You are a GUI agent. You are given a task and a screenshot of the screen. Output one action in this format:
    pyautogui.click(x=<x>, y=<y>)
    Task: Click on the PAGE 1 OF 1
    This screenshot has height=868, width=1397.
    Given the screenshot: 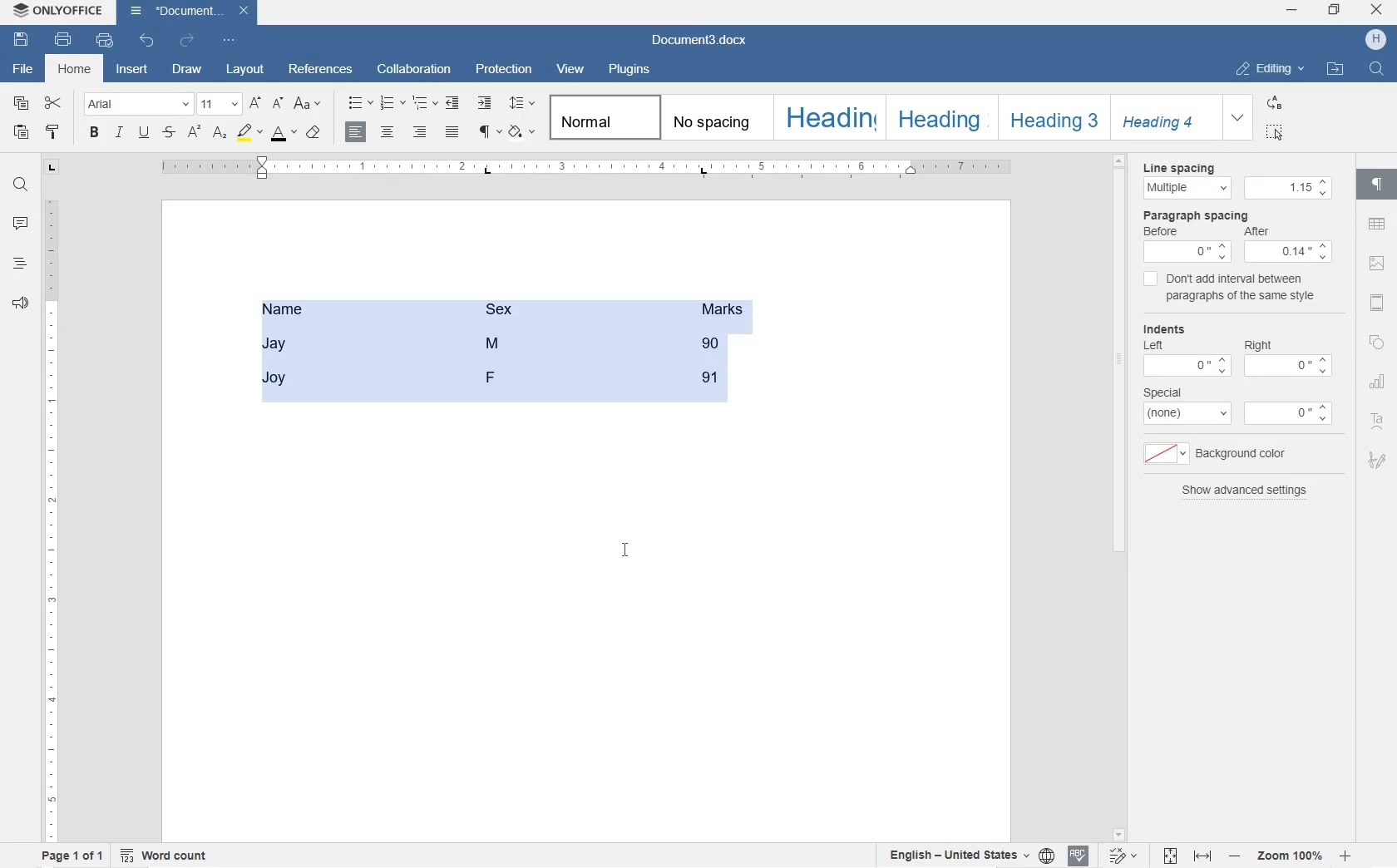 What is the action you would take?
    pyautogui.click(x=71, y=855)
    